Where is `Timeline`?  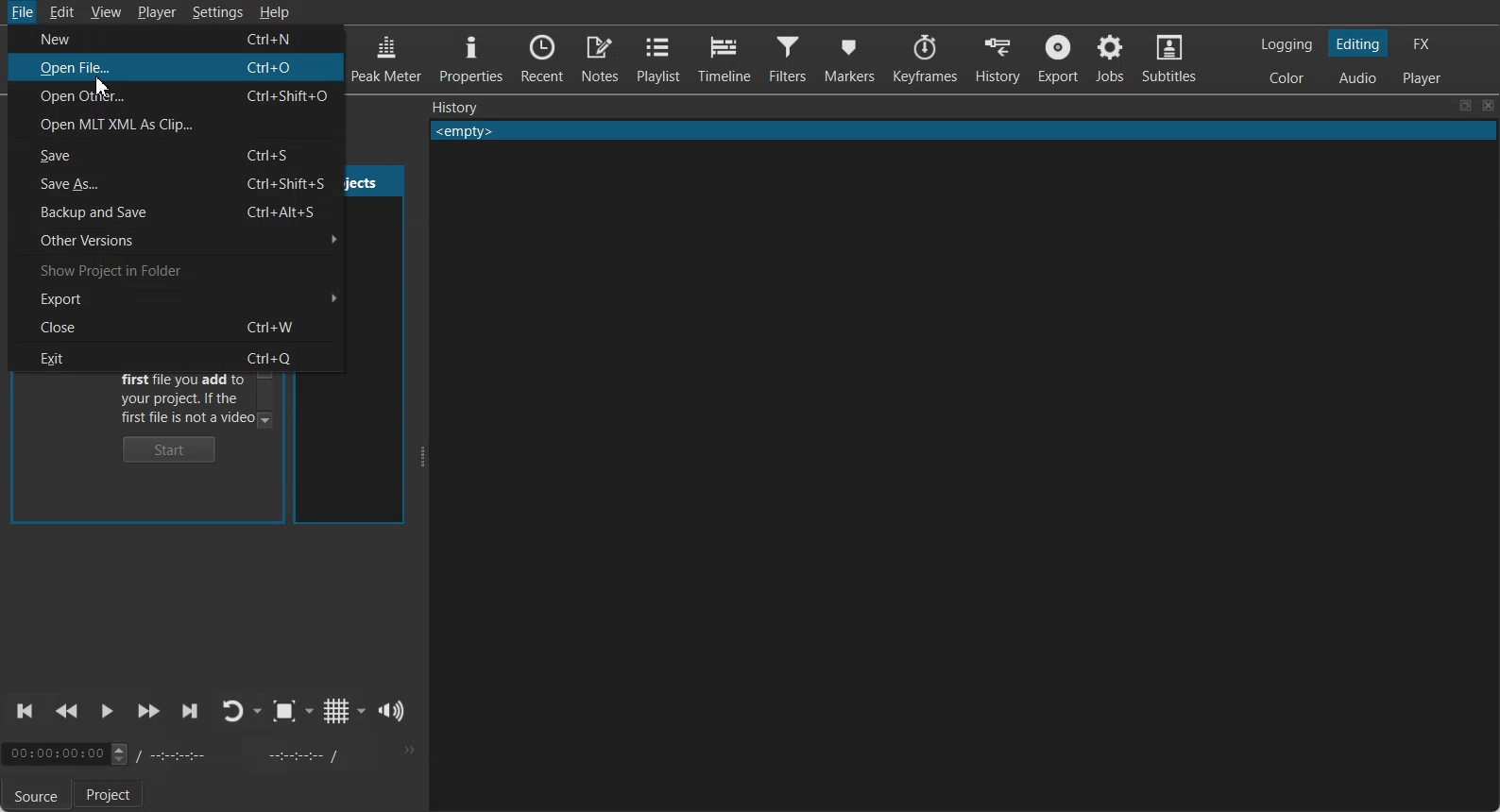 Timeline is located at coordinates (723, 56).